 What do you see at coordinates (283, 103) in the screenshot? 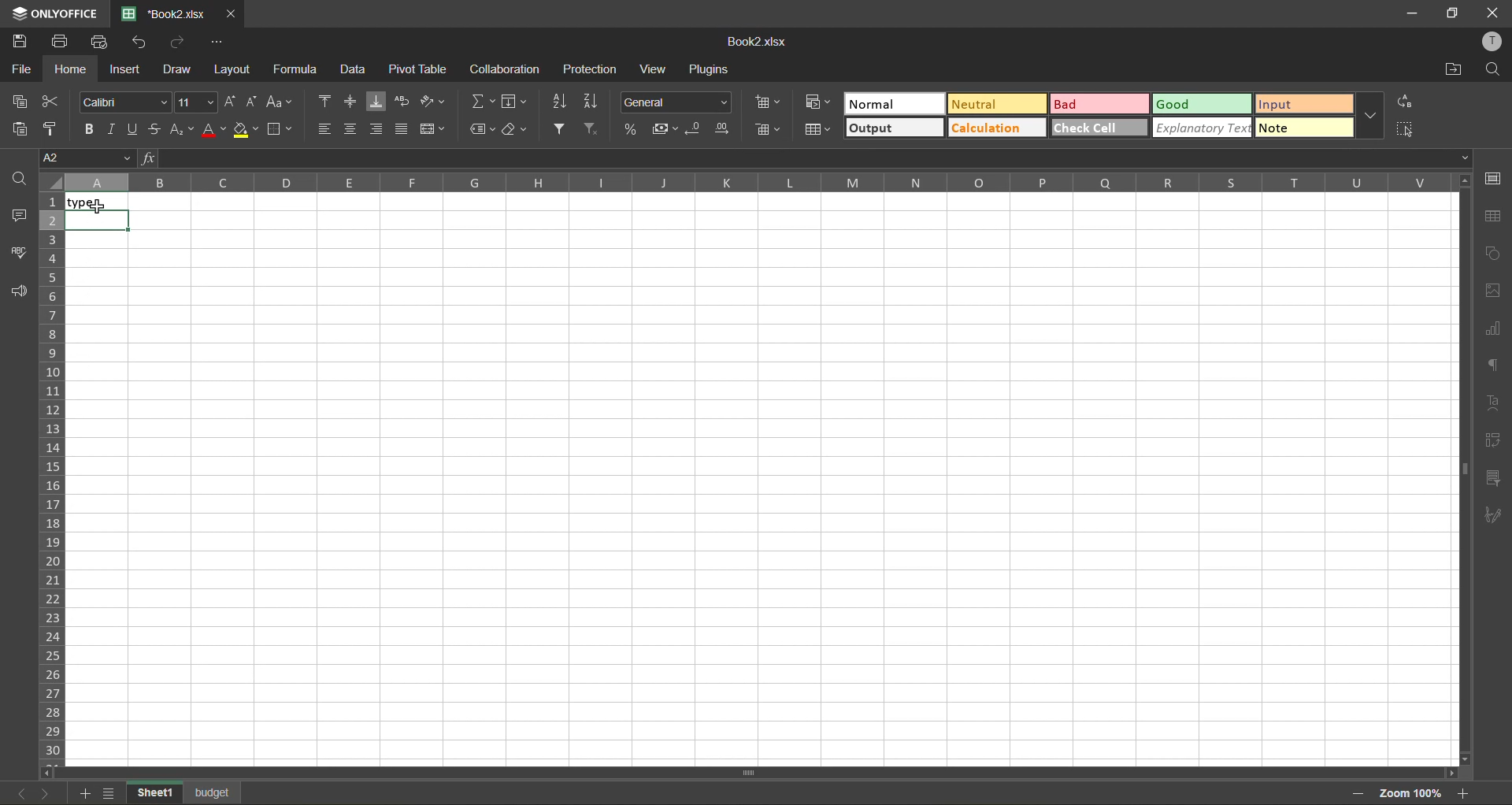
I see `change case` at bounding box center [283, 103].